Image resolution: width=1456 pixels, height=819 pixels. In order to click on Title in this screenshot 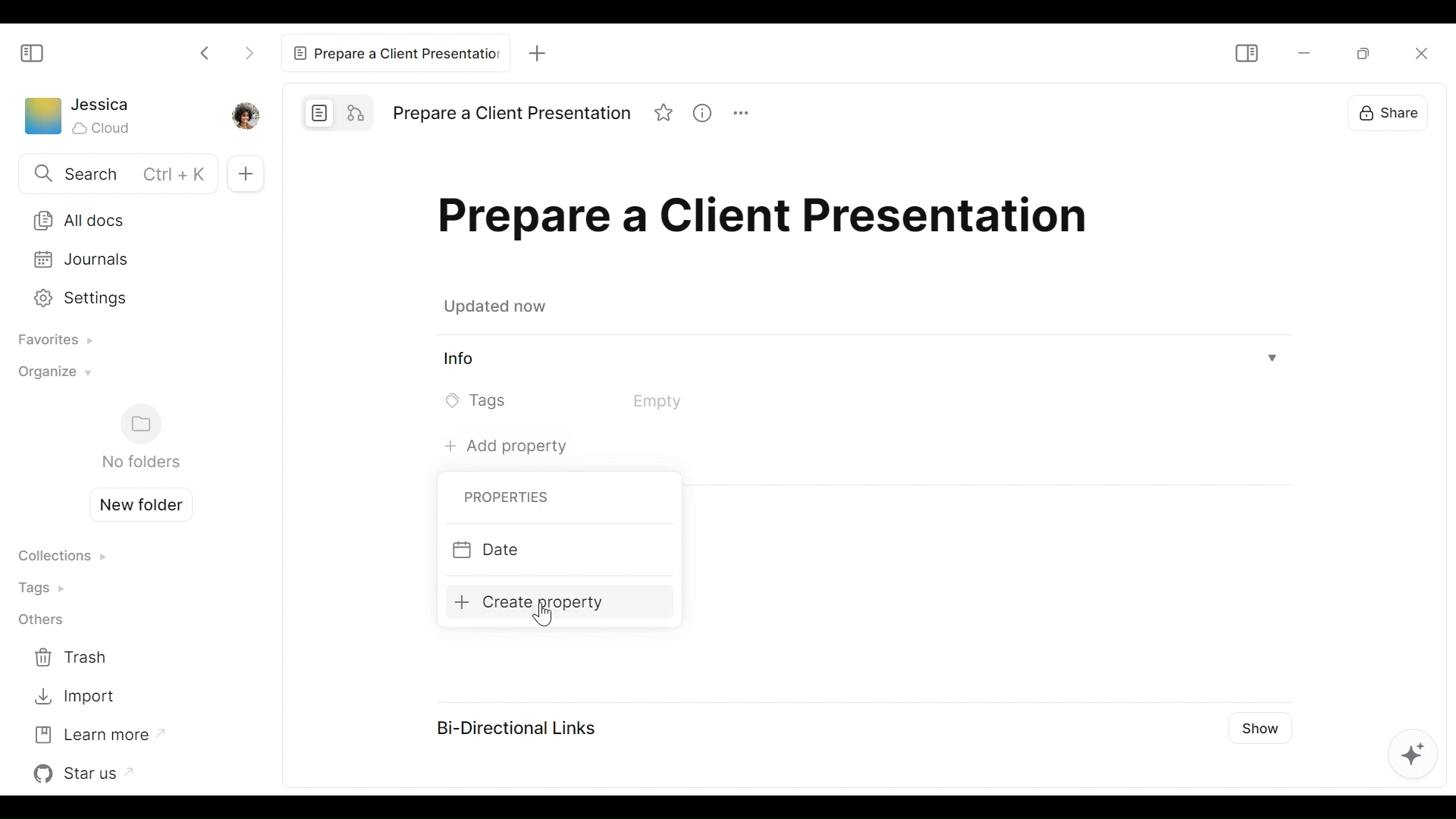, I will do `click(511, 114)`.